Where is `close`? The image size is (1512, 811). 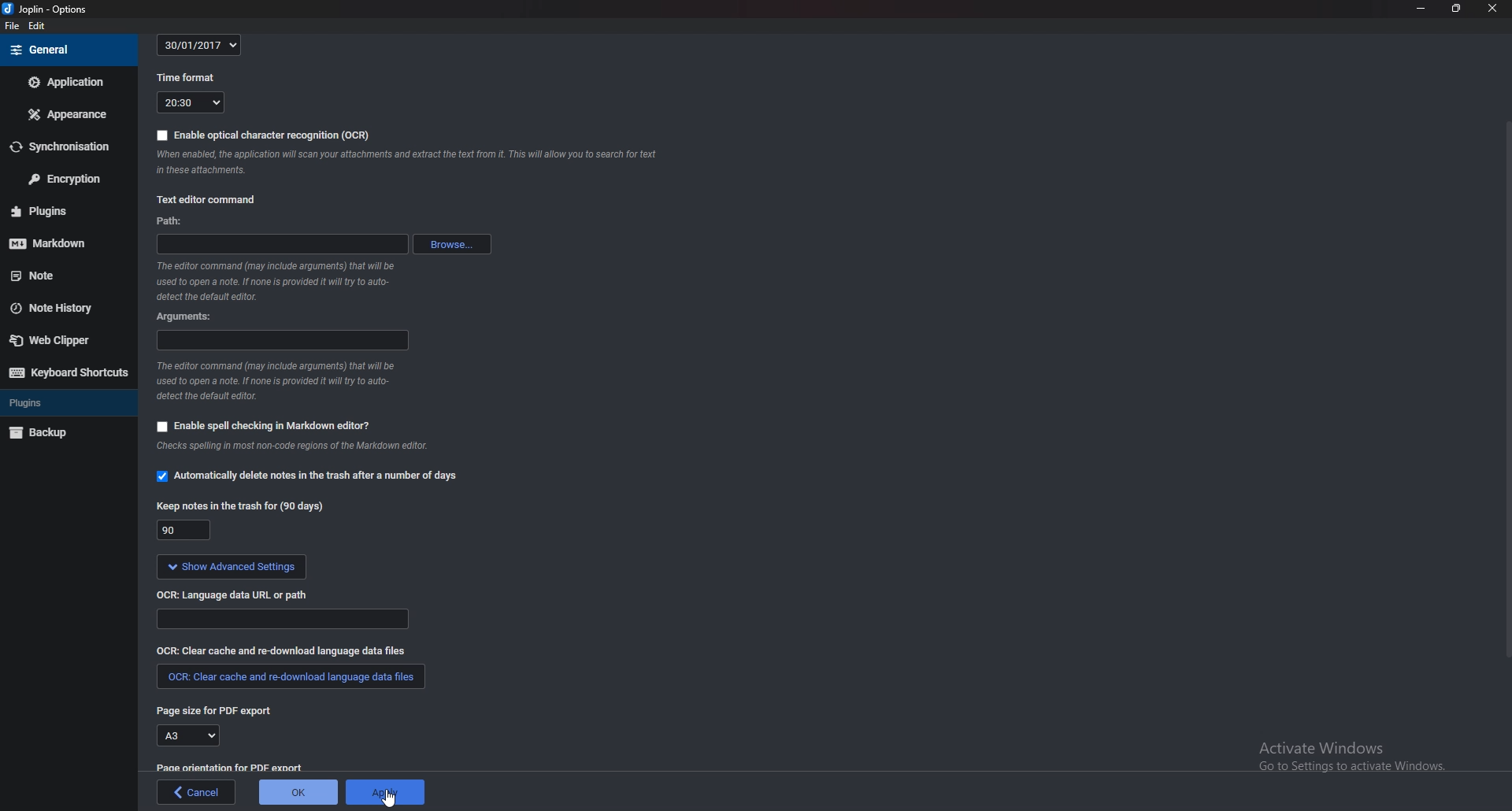 close is located at coordinates (1492, 9).